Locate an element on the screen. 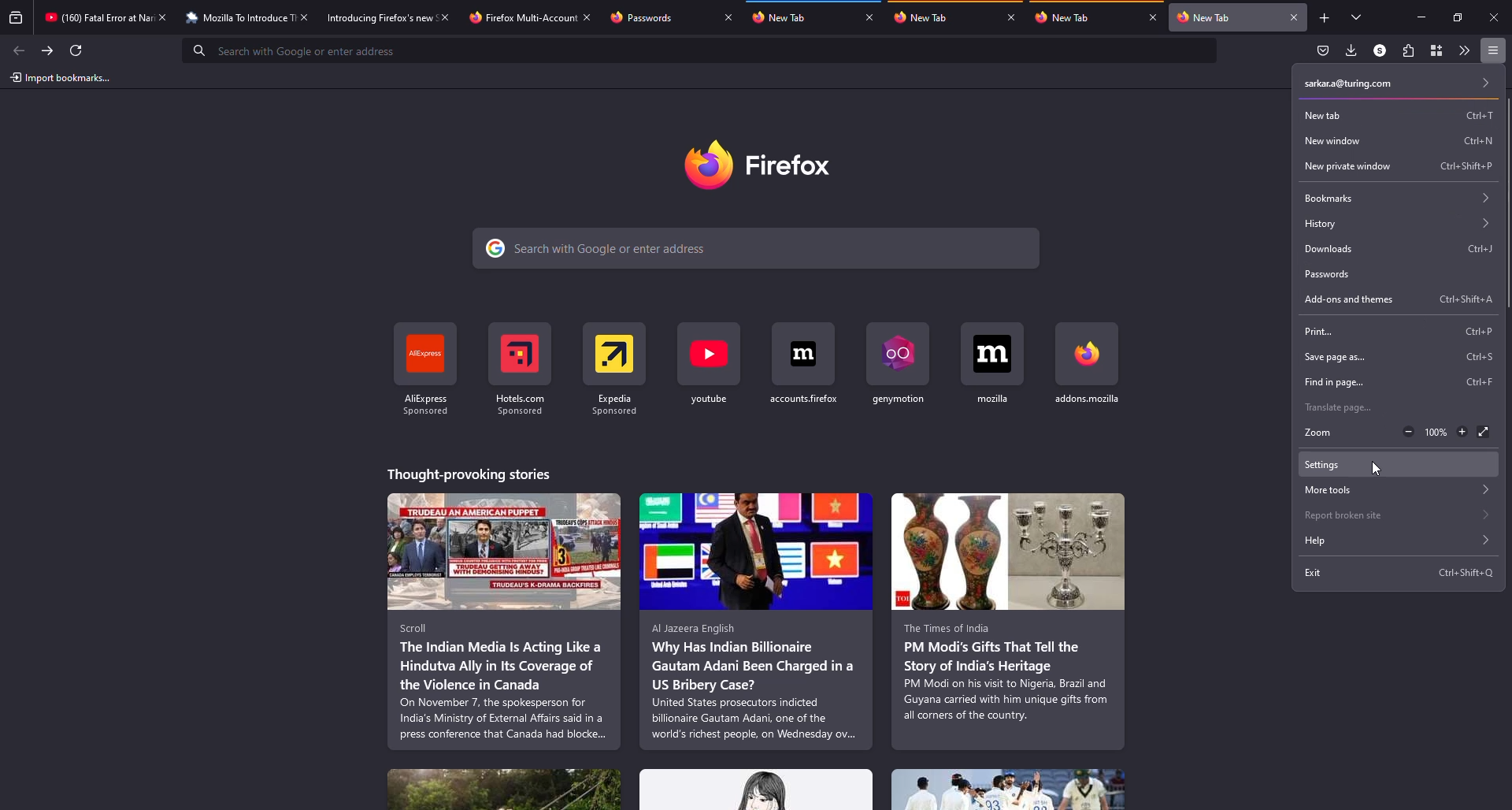 Image resolution: width=1512 pixels, height=810 pixels. more tools is located at coordinates (1395, 490).